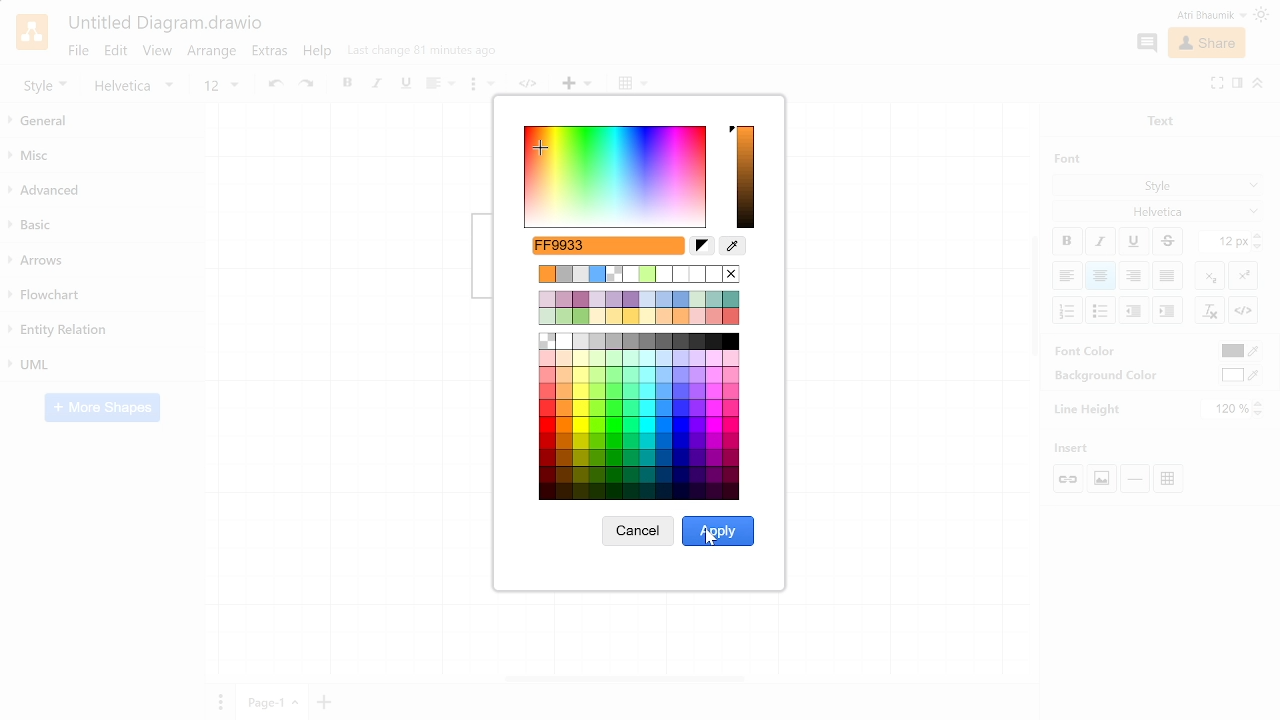  What do you see at coordinates (1156, 119) in the screenshot?
I see `Text` at bounding box center [1156, 119].